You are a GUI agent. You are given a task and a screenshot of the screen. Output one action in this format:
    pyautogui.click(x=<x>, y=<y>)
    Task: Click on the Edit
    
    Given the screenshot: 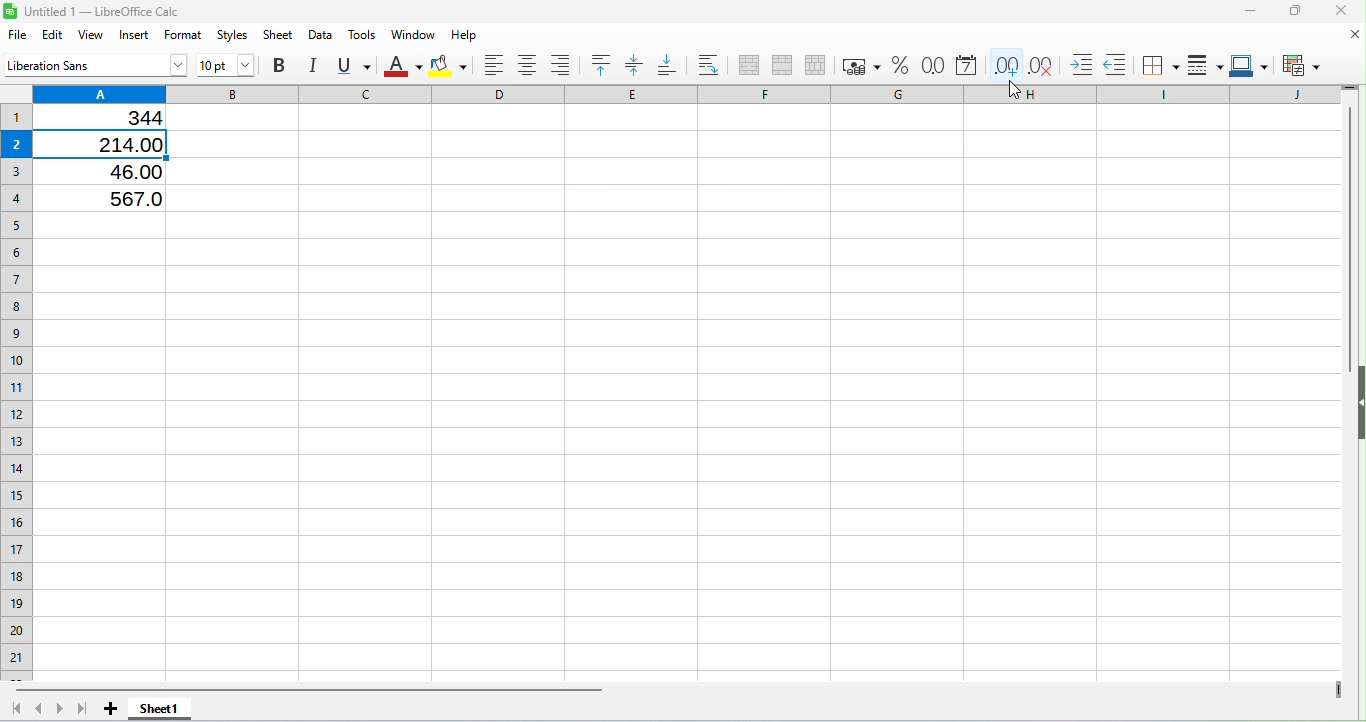 What is the action you would take?
    pyautogui.click(x=52, y=35)
    